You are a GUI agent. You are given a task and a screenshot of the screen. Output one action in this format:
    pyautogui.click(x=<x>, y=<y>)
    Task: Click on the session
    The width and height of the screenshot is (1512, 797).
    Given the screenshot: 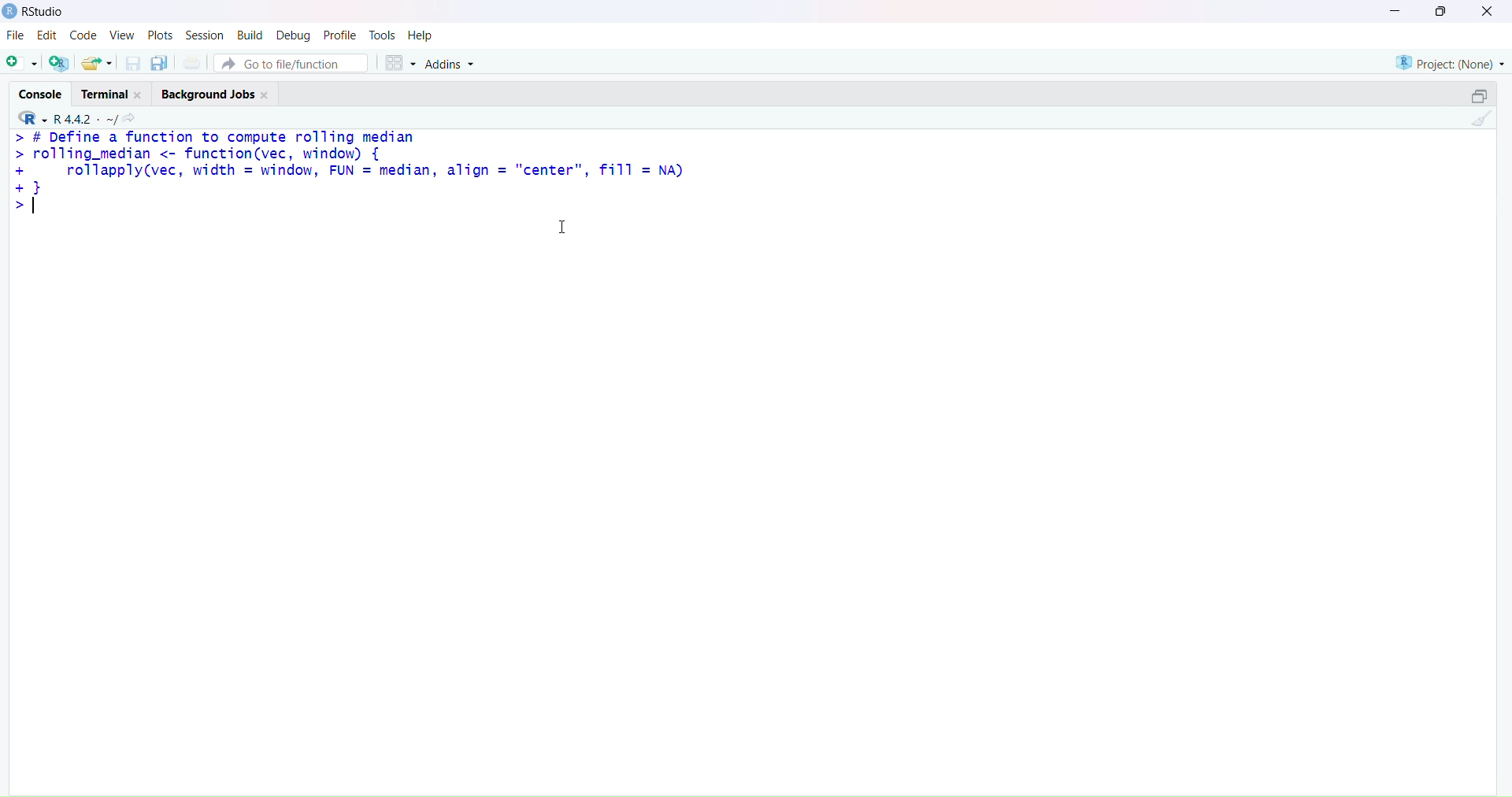 What is the action you would take?
    pyautogui.click(x=206, y=36)
    